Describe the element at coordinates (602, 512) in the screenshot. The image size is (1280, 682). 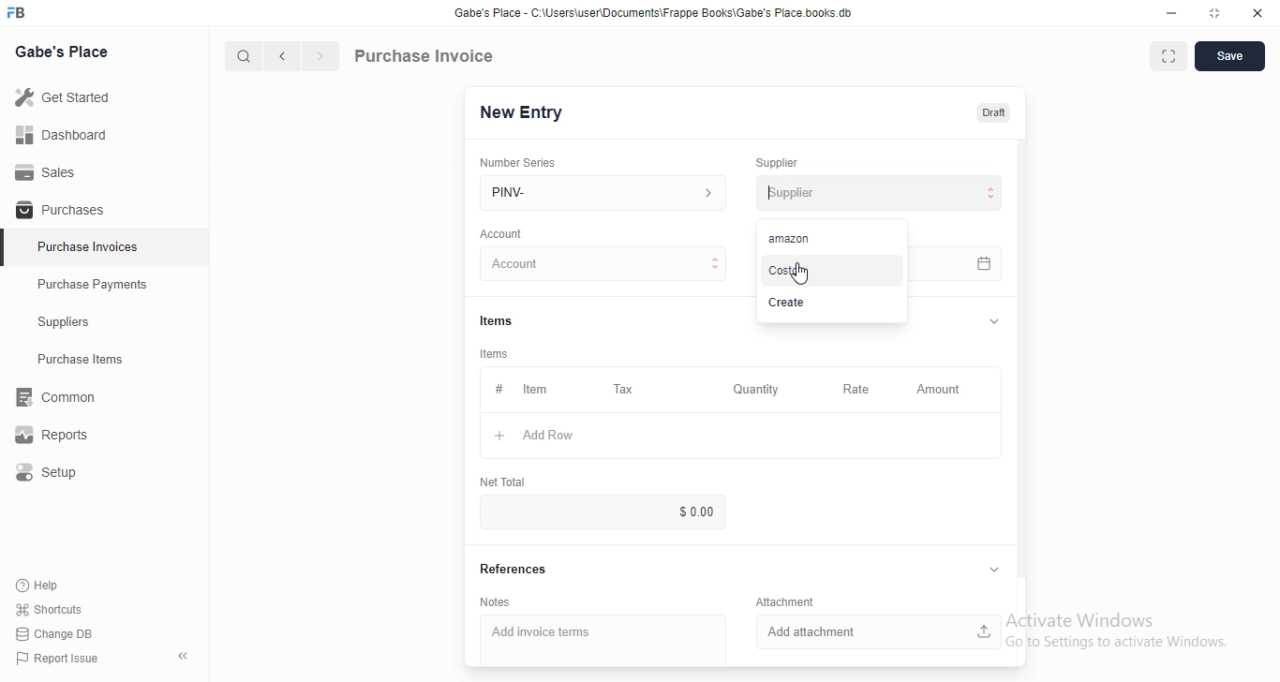
I see `$ 0.00` at that location.